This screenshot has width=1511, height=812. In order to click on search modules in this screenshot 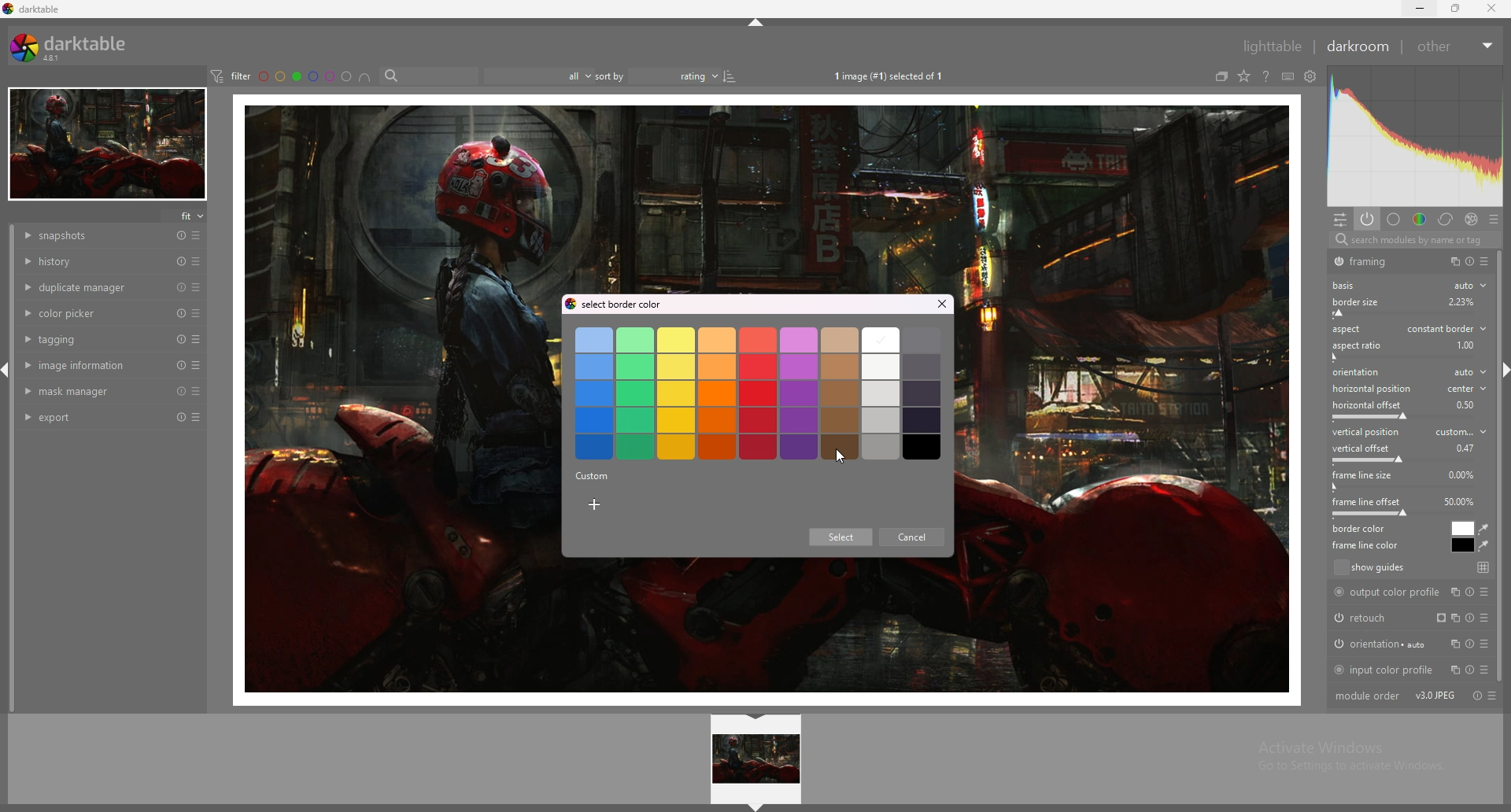, I will do `click(1416, 242)`.